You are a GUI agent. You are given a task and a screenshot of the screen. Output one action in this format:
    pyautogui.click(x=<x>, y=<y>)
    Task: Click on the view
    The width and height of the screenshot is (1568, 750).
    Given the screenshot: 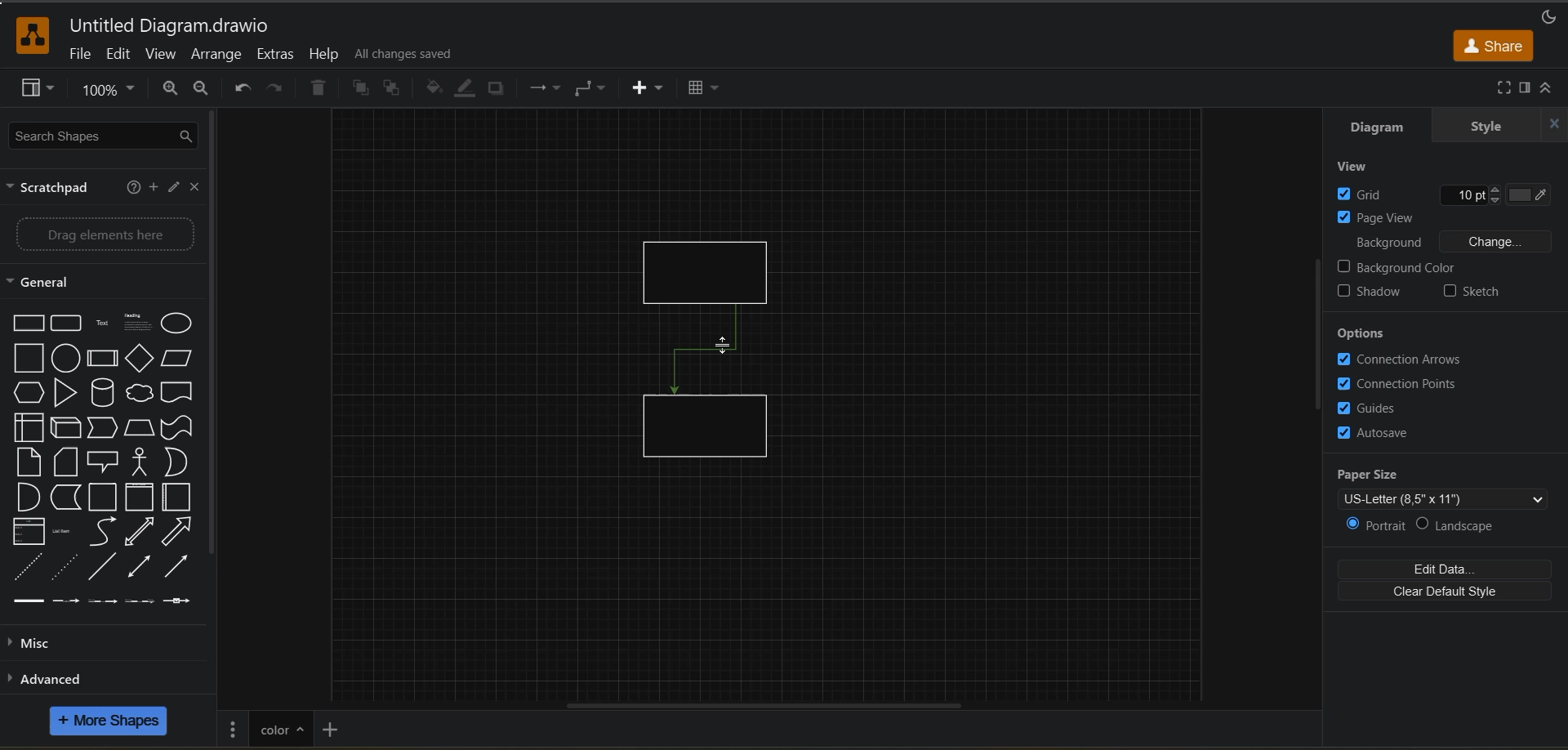 What is the action you would take?
    pyautogui.click(x=40, y=90)
    